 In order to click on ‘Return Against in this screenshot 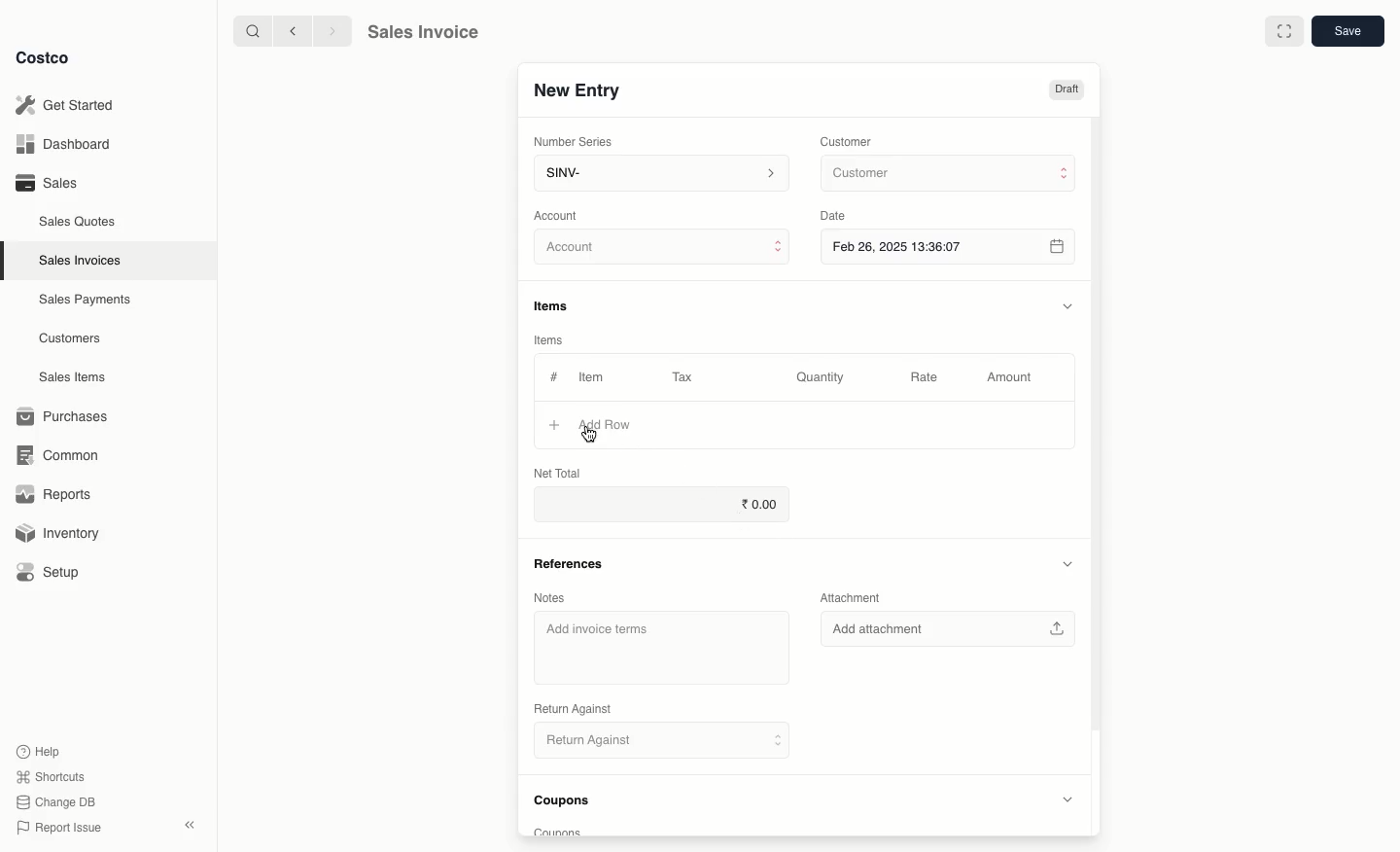, I will do `click(572, 708)`.